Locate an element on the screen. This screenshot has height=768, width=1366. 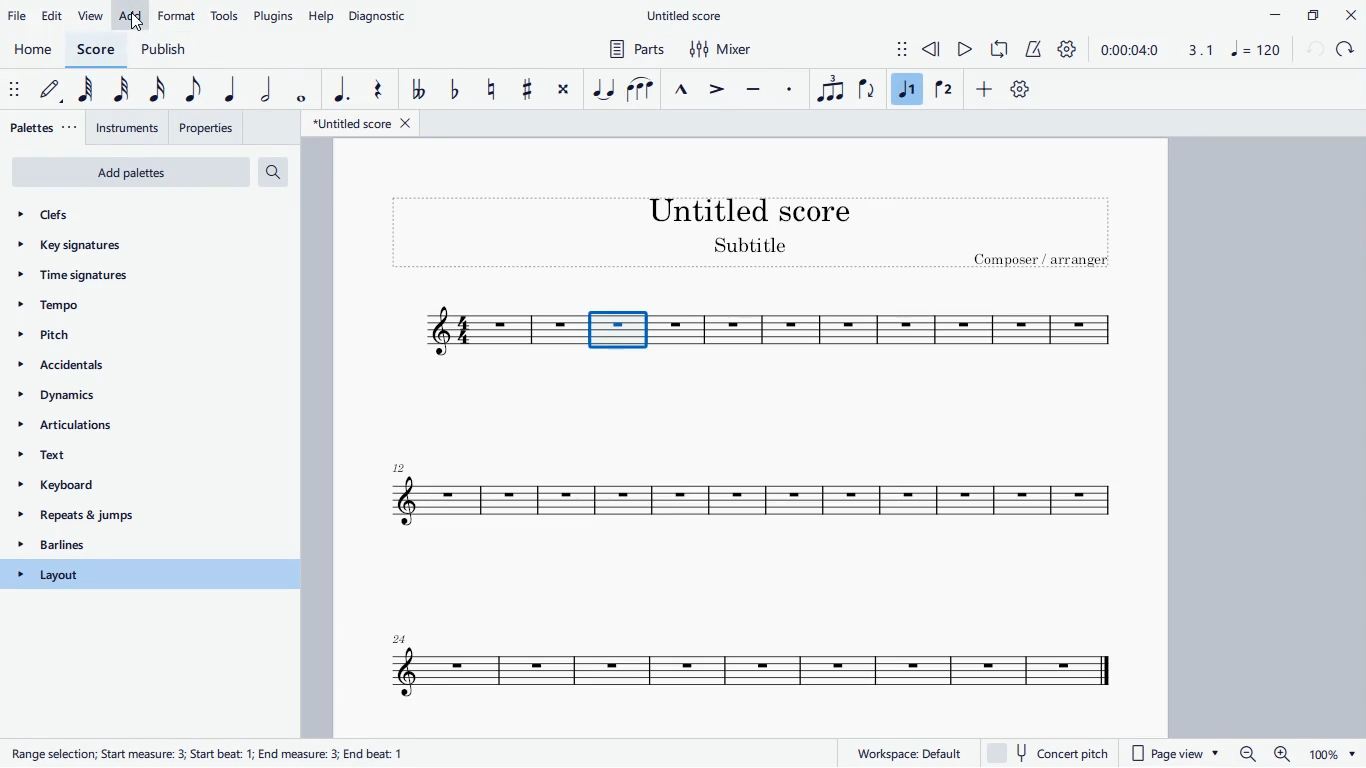
search is located at coordinates (281, 173).